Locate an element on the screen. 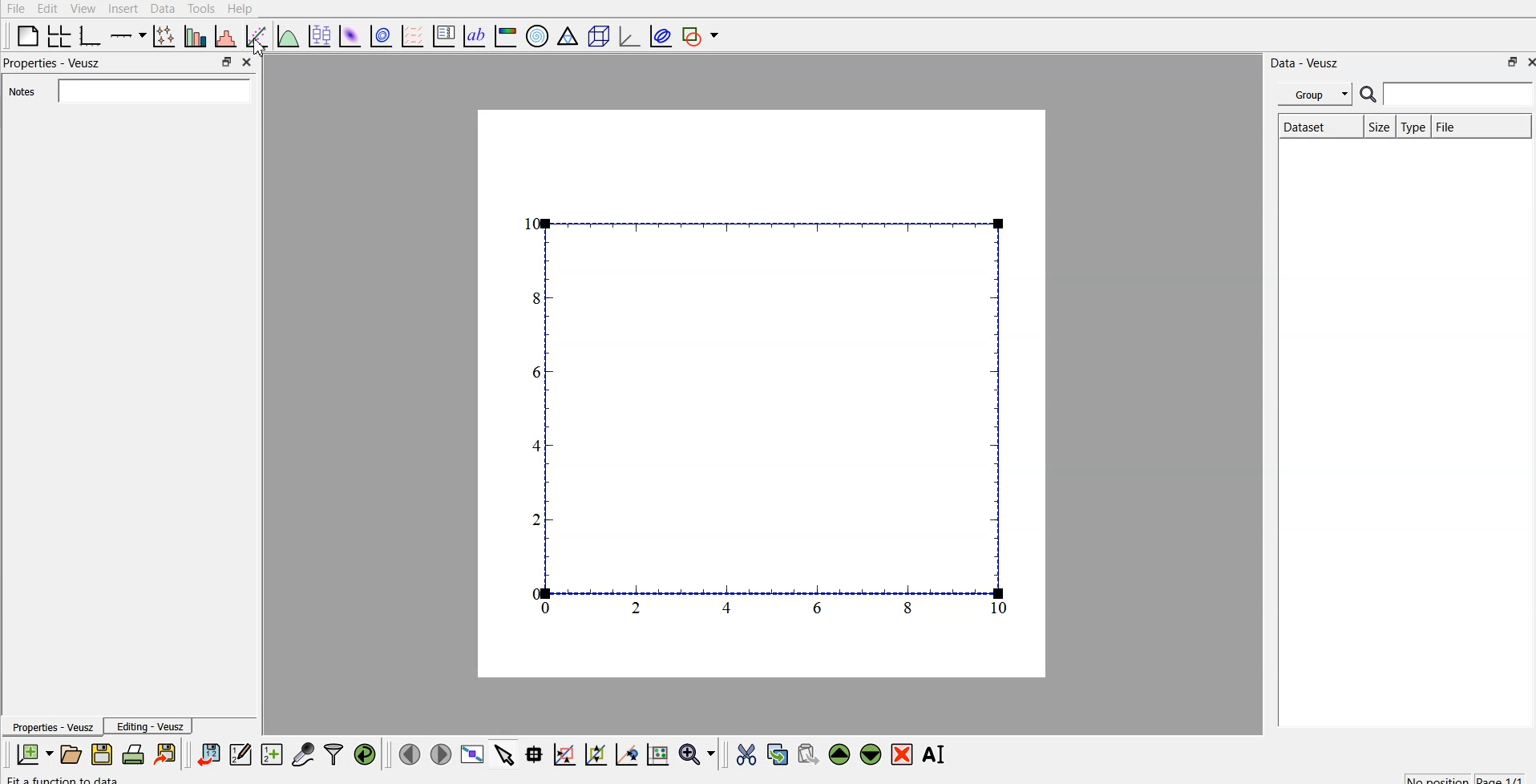 The height and width of the screenshot is (784, 1536). plot box plots is located at coordinates (320, 37).